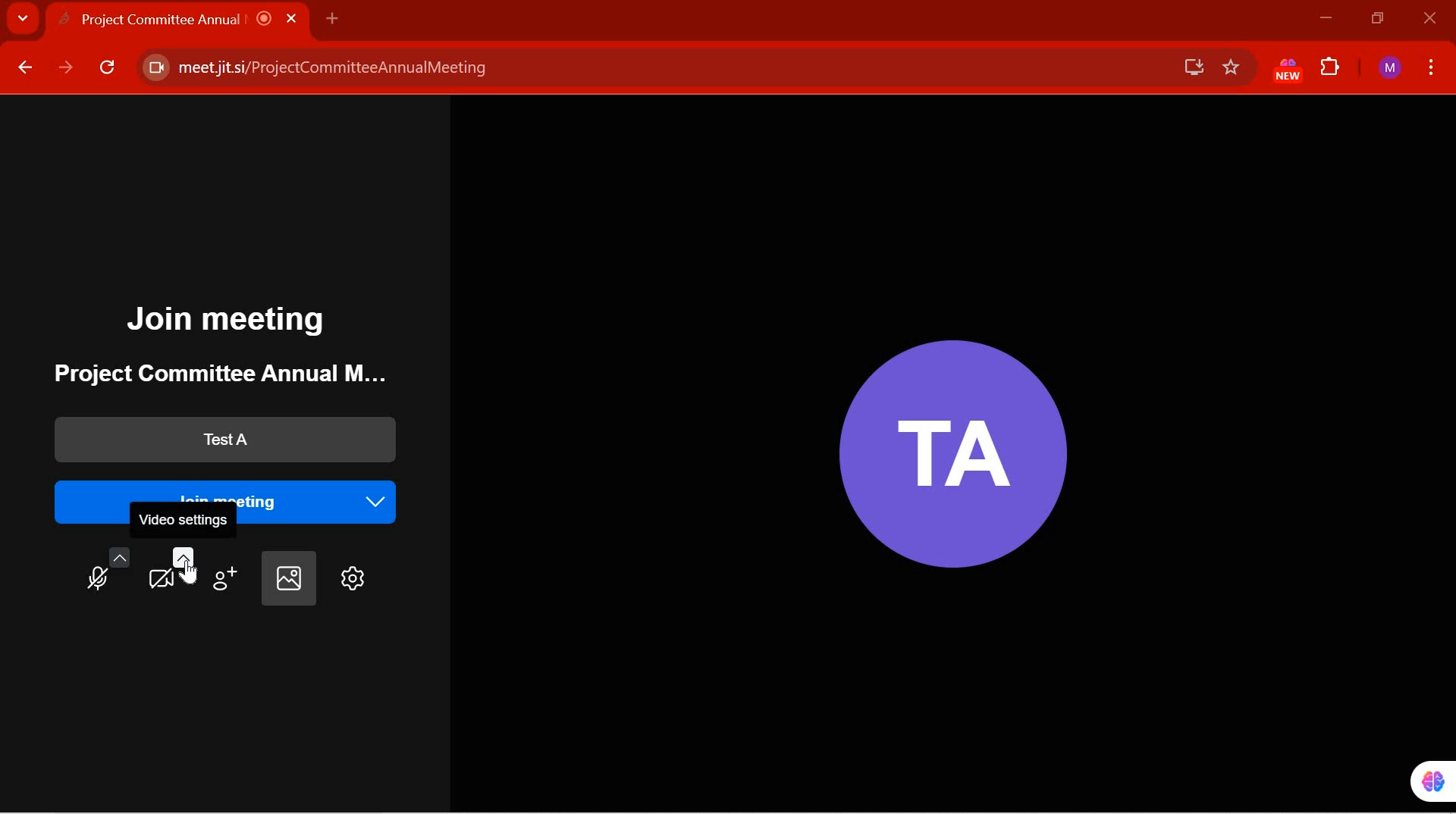 The image size is (1456, 814). What do you see at coordinates (154, 68) in the screenshot?
I see `Camera enabled` at bounding box center [154, 68].